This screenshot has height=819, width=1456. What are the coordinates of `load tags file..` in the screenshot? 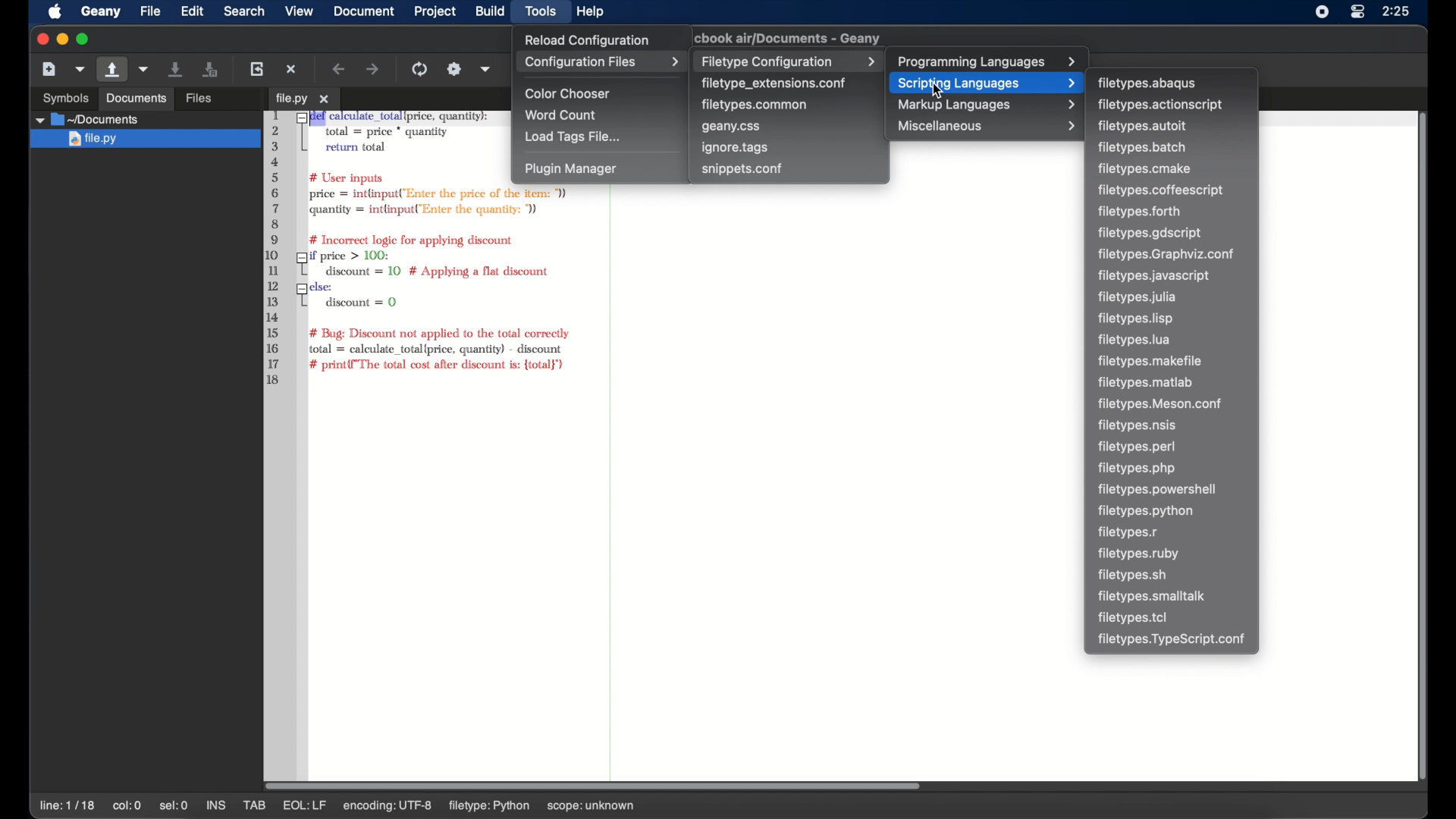 It's located at (573, 137).